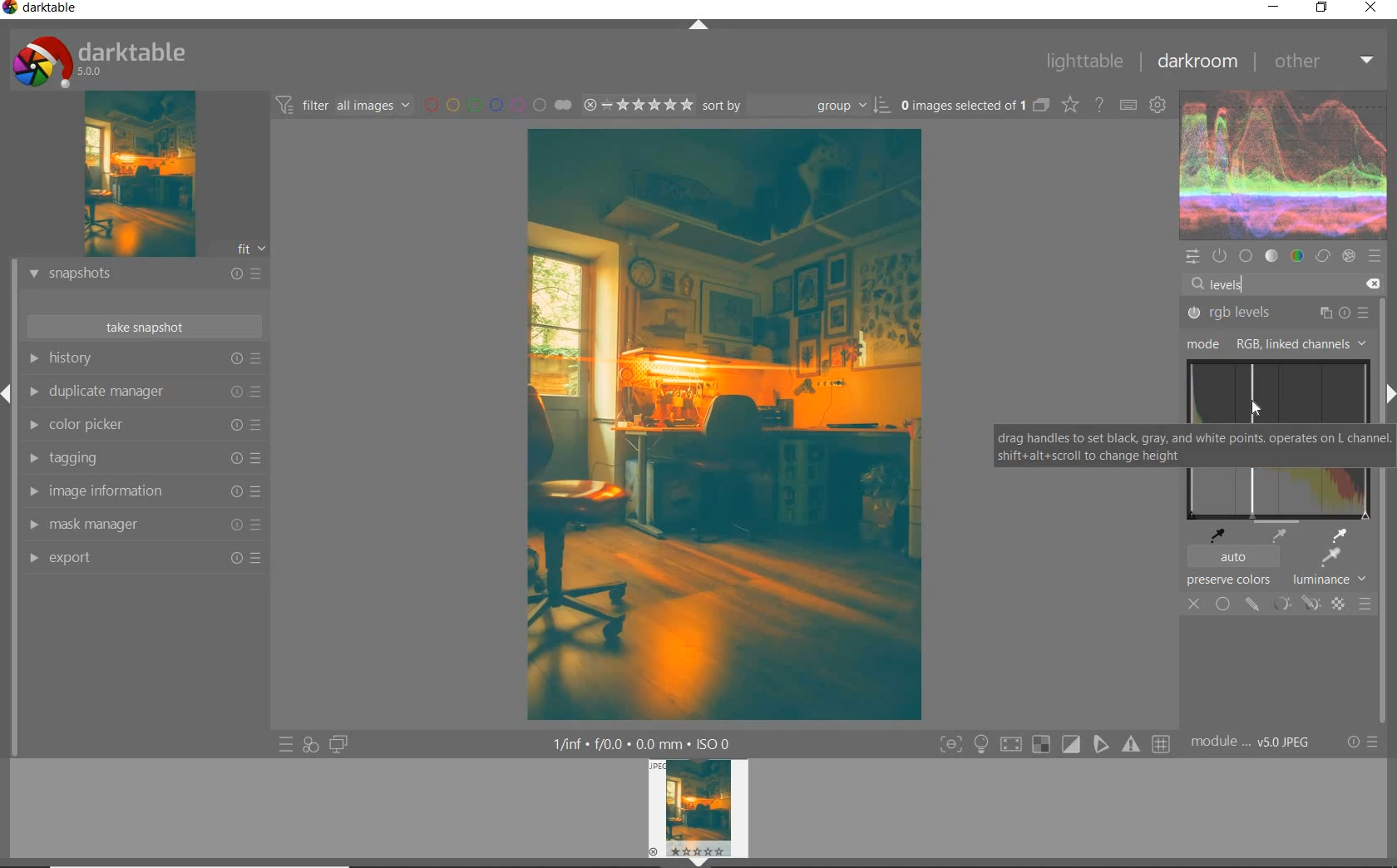  What do you see at coordinates (146, 326) in the screenshot?
I see `take snapshot` at bounding box center [146, 326].